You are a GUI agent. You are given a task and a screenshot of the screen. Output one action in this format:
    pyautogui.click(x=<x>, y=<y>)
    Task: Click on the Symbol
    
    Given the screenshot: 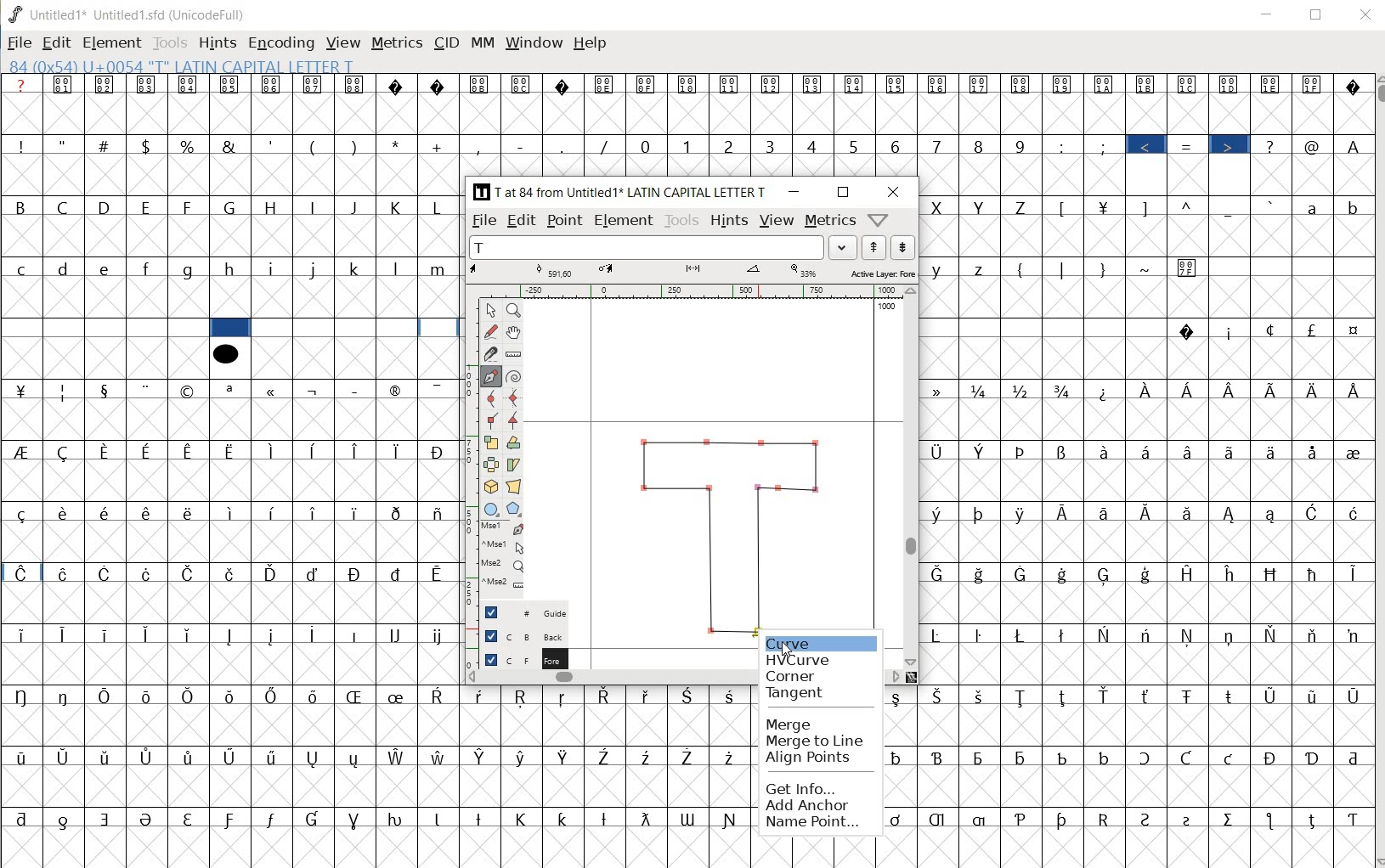 What is the action you would take?
    pyautogui.click(x=67, y=452)
    